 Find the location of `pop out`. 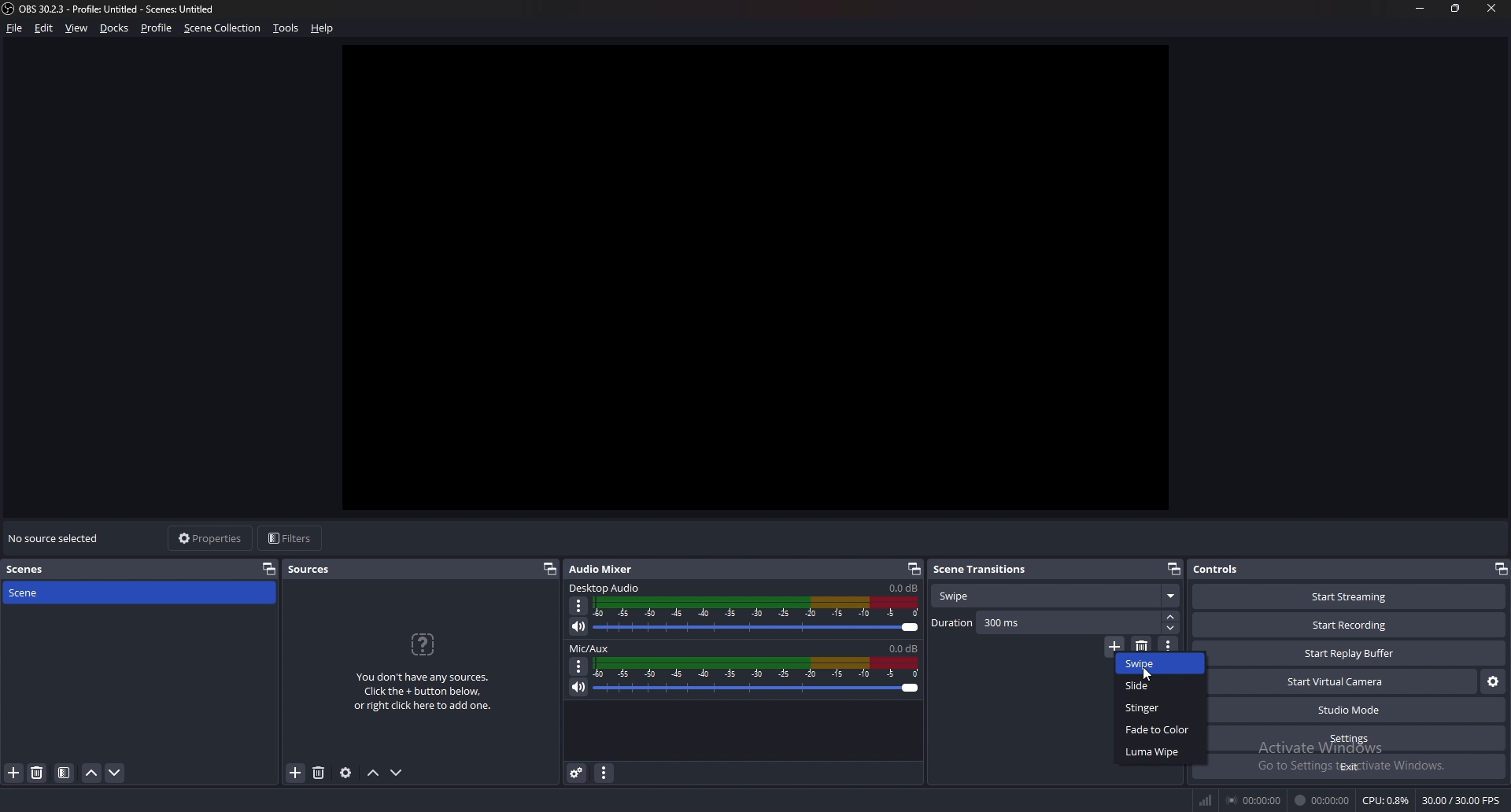

pop out is located at coordinates (549, 570).